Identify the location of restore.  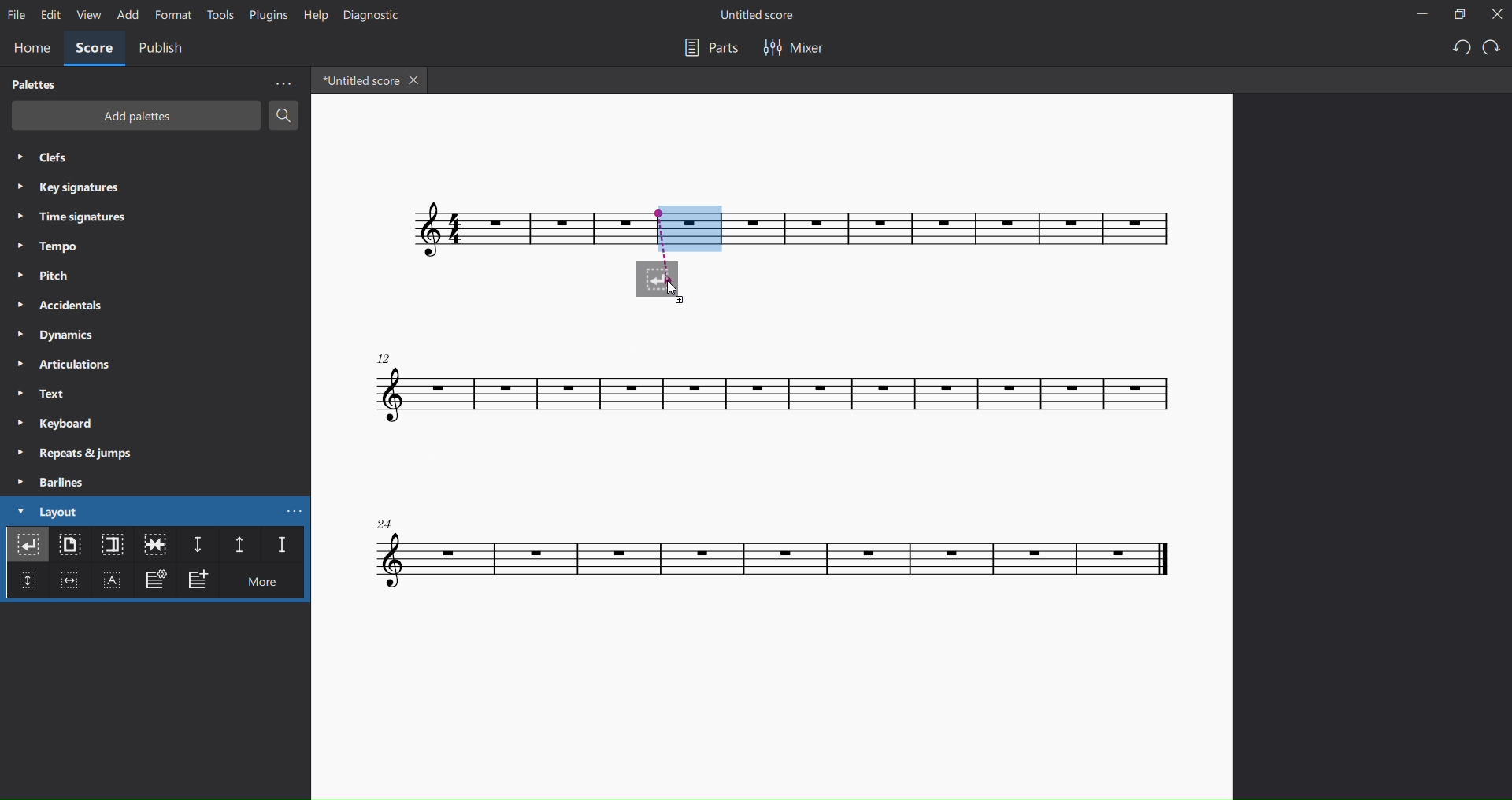
(1456, 14).